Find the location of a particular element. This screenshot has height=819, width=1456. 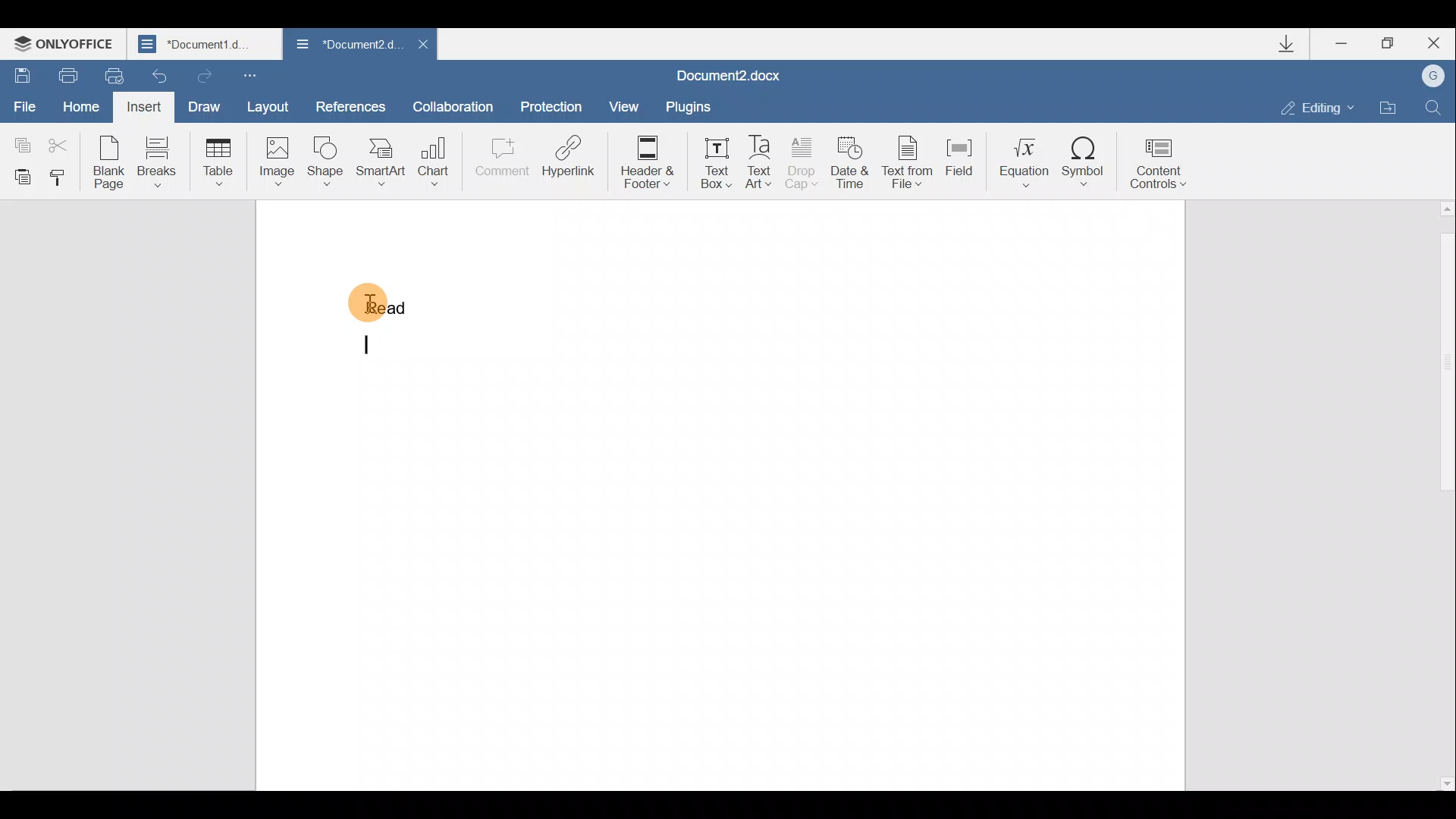

Scroll bar is located at coordinates (1443, 494).